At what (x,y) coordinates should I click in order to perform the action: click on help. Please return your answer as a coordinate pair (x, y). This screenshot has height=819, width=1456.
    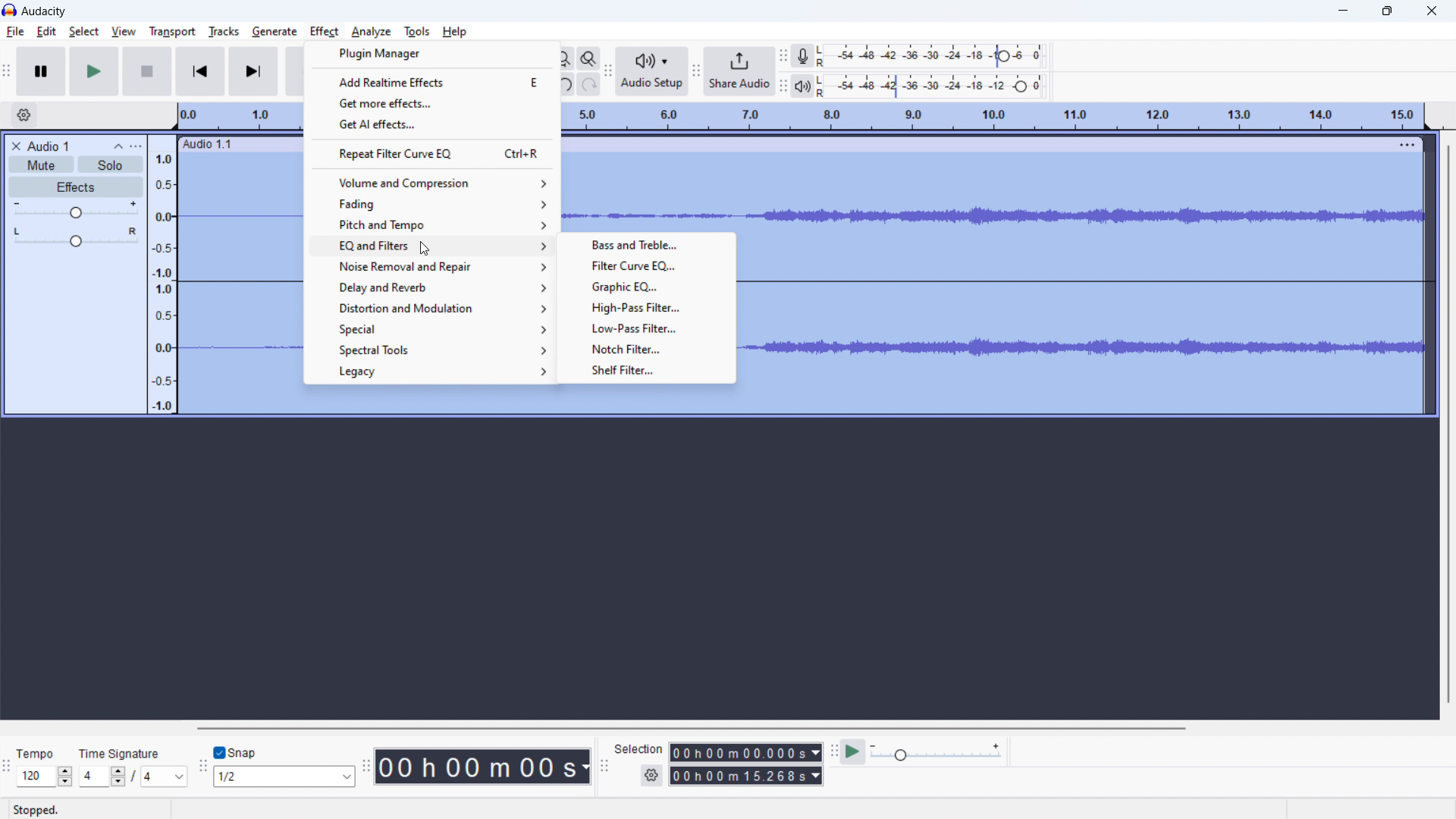
    Looking at the image, I should click on (456, 32).